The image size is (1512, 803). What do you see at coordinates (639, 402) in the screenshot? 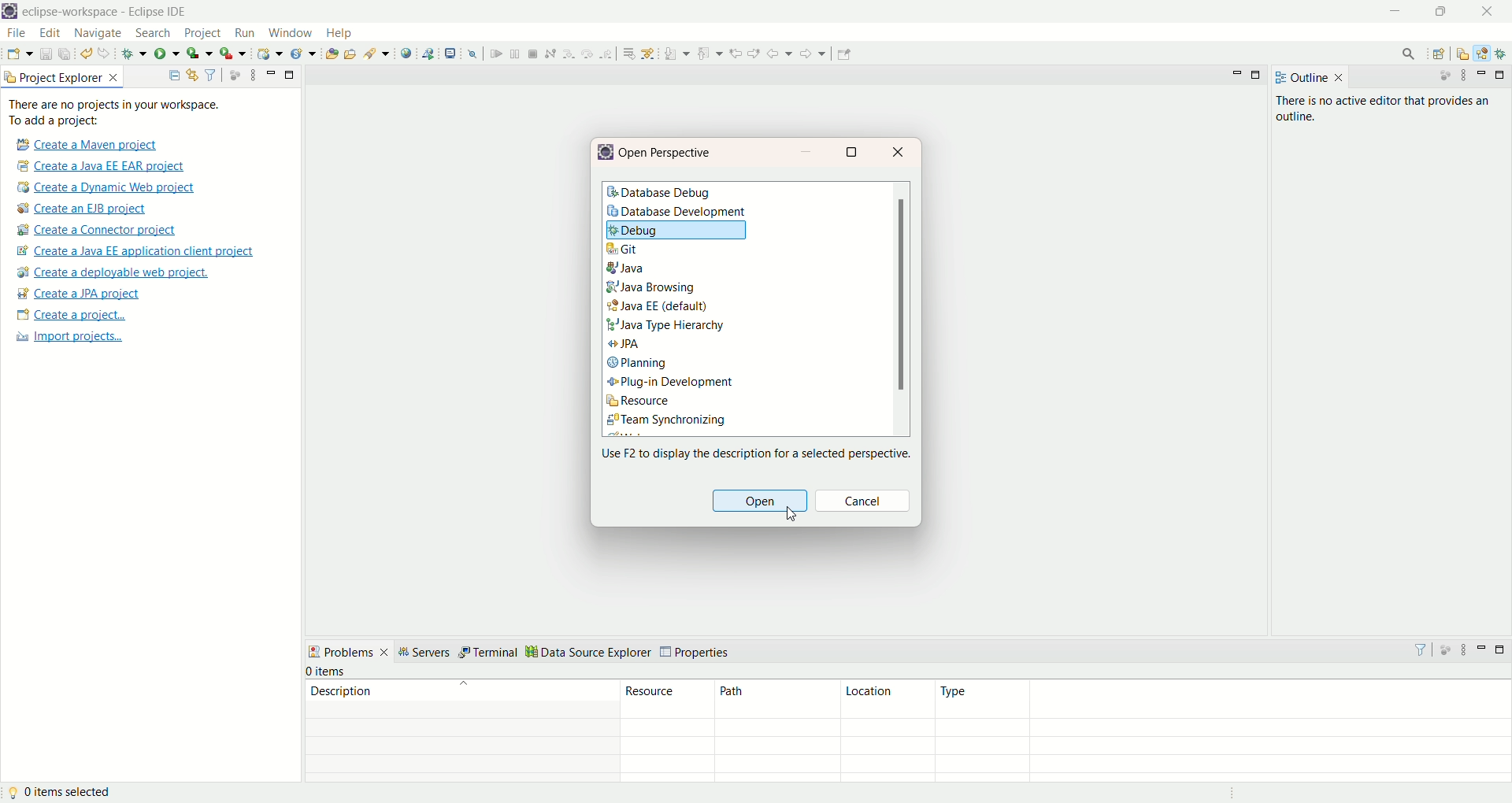
I see `resource` at bounding box center [639, 402].